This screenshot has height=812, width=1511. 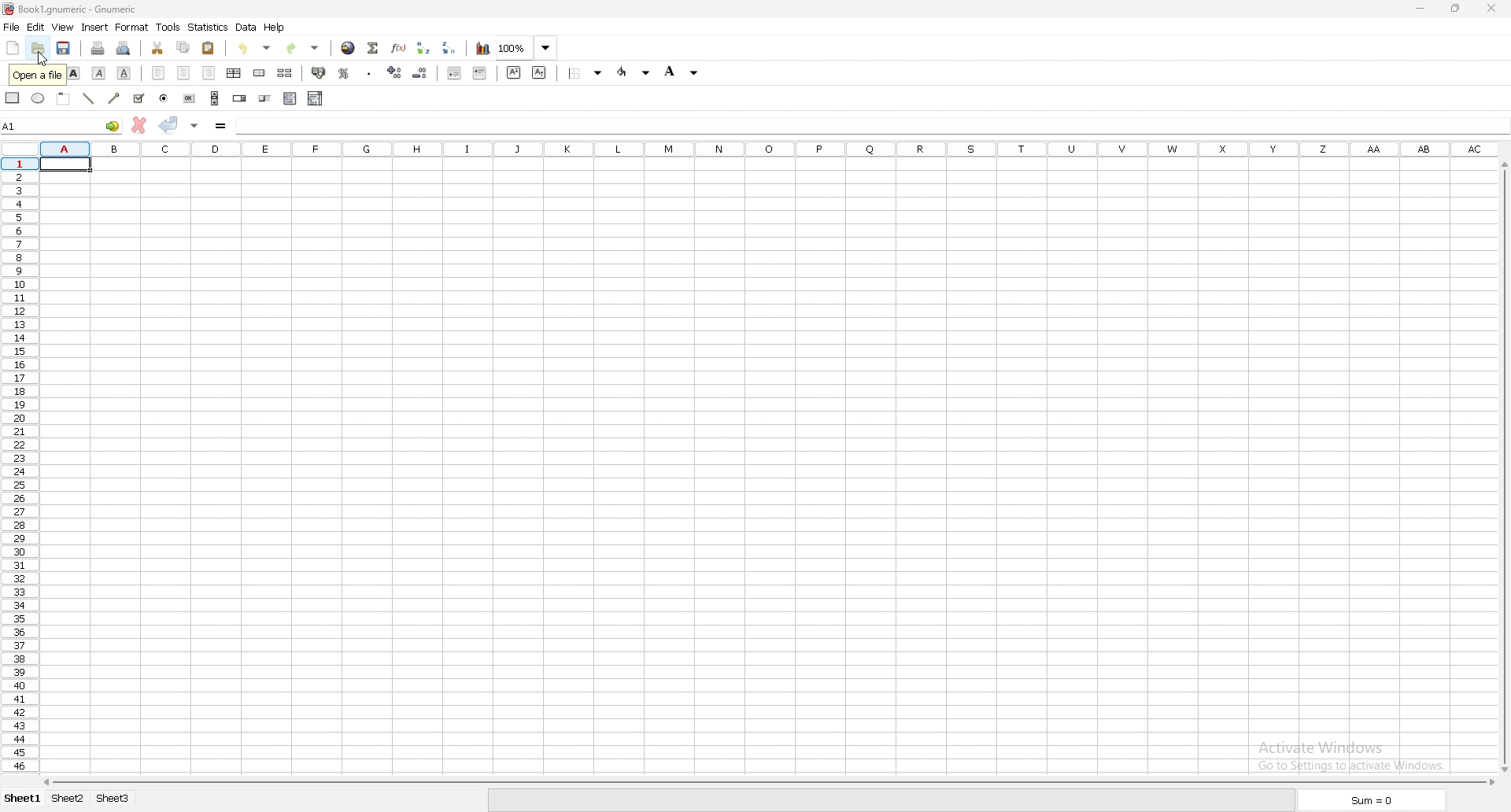 What do you see at coordinates (305, 49) in the screenshot?
I see `redo` at bounding box center [305, 49].